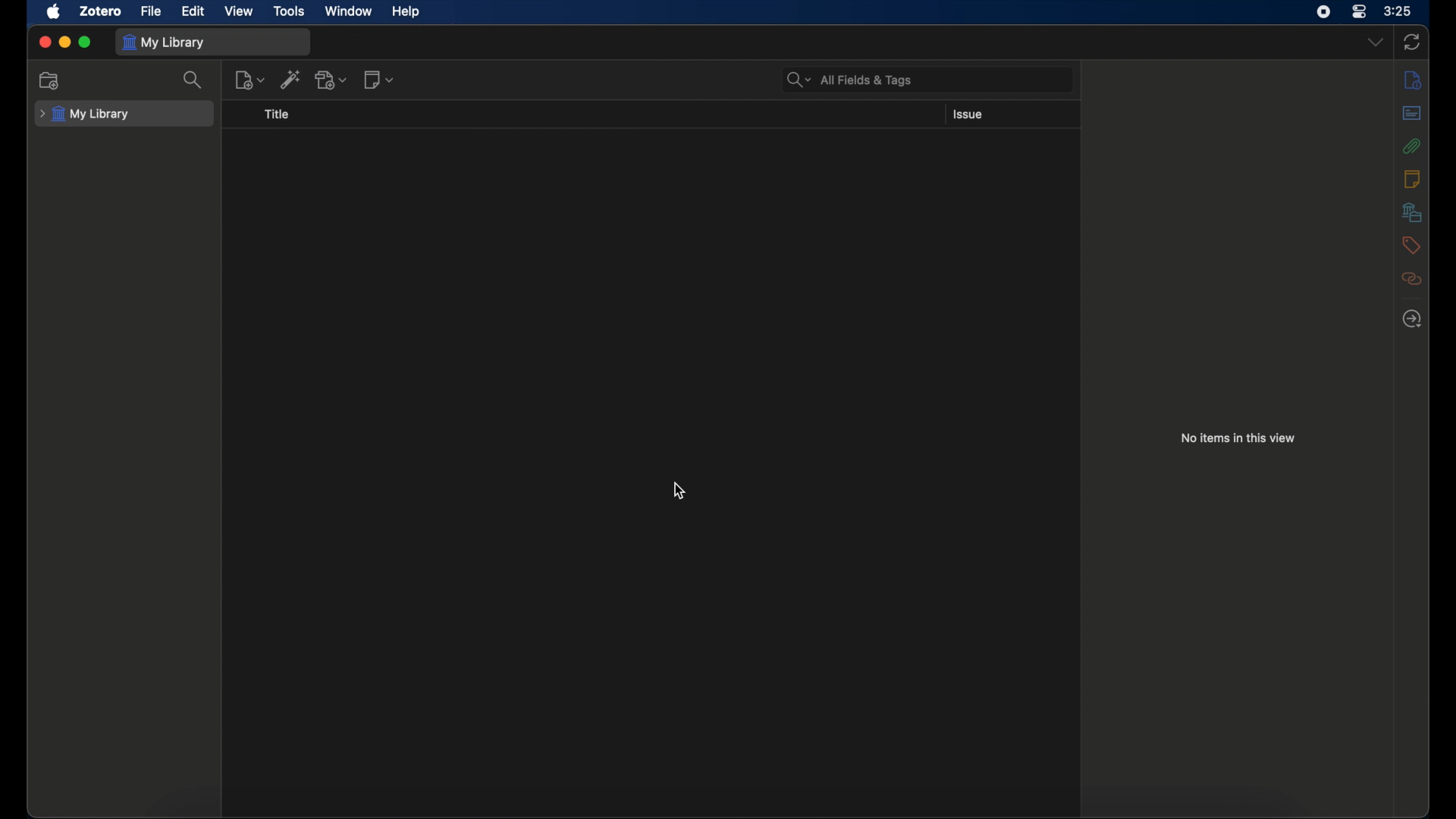 The height and width of the screenshot is (819, 1456). I want to click on my library, so click(165, 42).